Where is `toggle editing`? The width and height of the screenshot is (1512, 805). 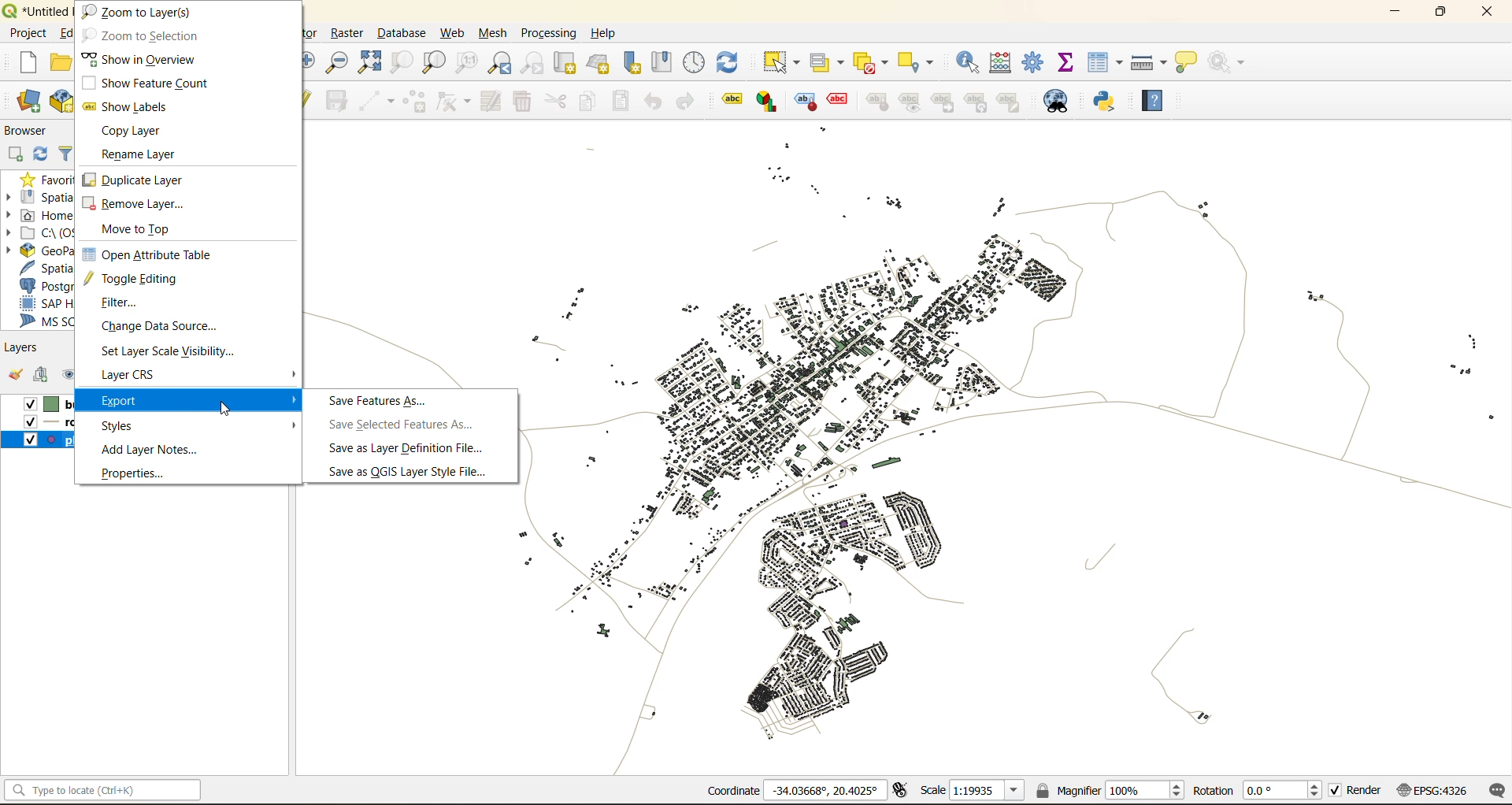
toggle editing is located at coordinates (136, 280).